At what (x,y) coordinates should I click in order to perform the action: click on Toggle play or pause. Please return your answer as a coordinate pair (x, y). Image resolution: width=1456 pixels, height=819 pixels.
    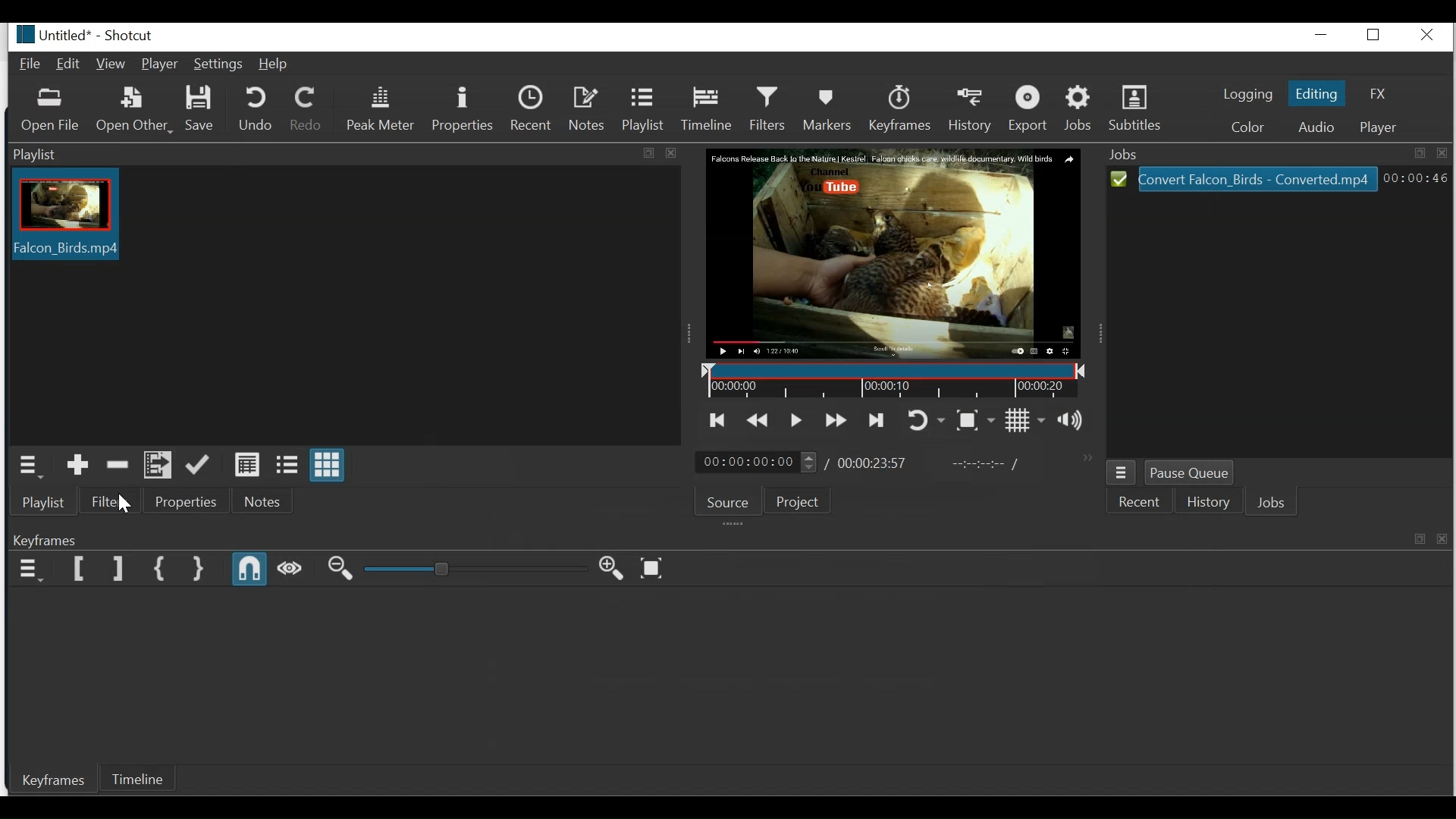
    Looking at the image, I should click on (797, 420).